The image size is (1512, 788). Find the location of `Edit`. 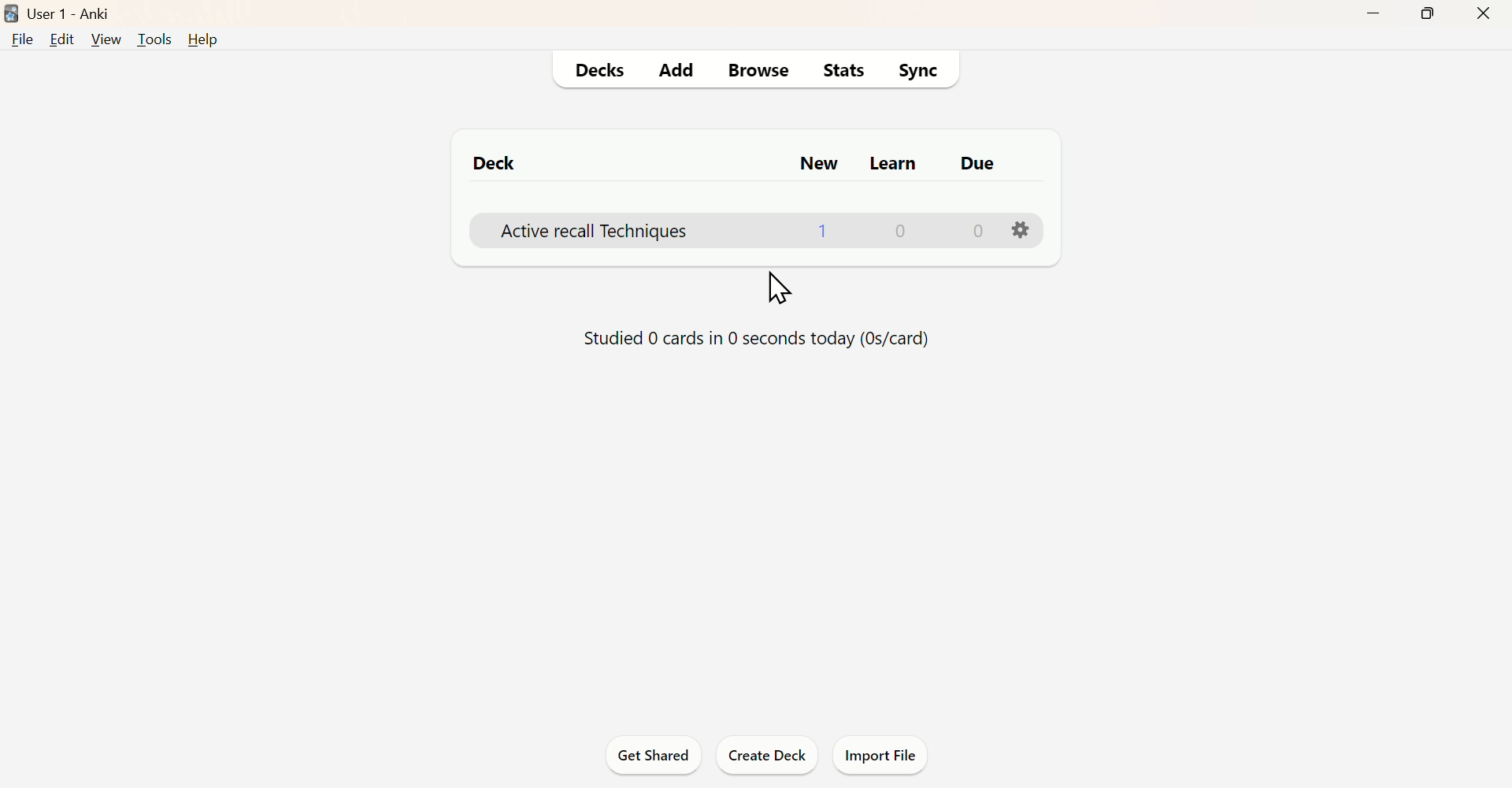

Edit is located at coordinates (61, 39).